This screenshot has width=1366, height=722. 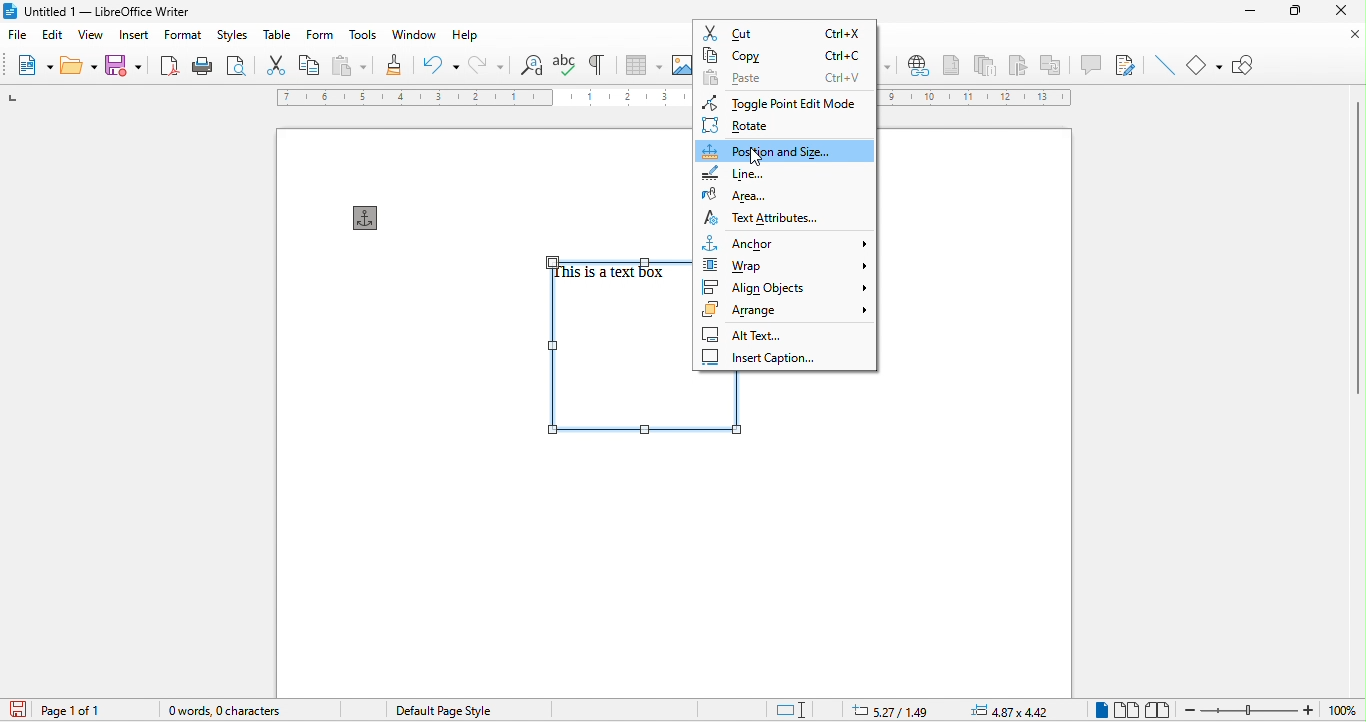 What do you see at coordinates (1352, 35) in the screenshot?
I see `close` at bounding box center [1352, 35].